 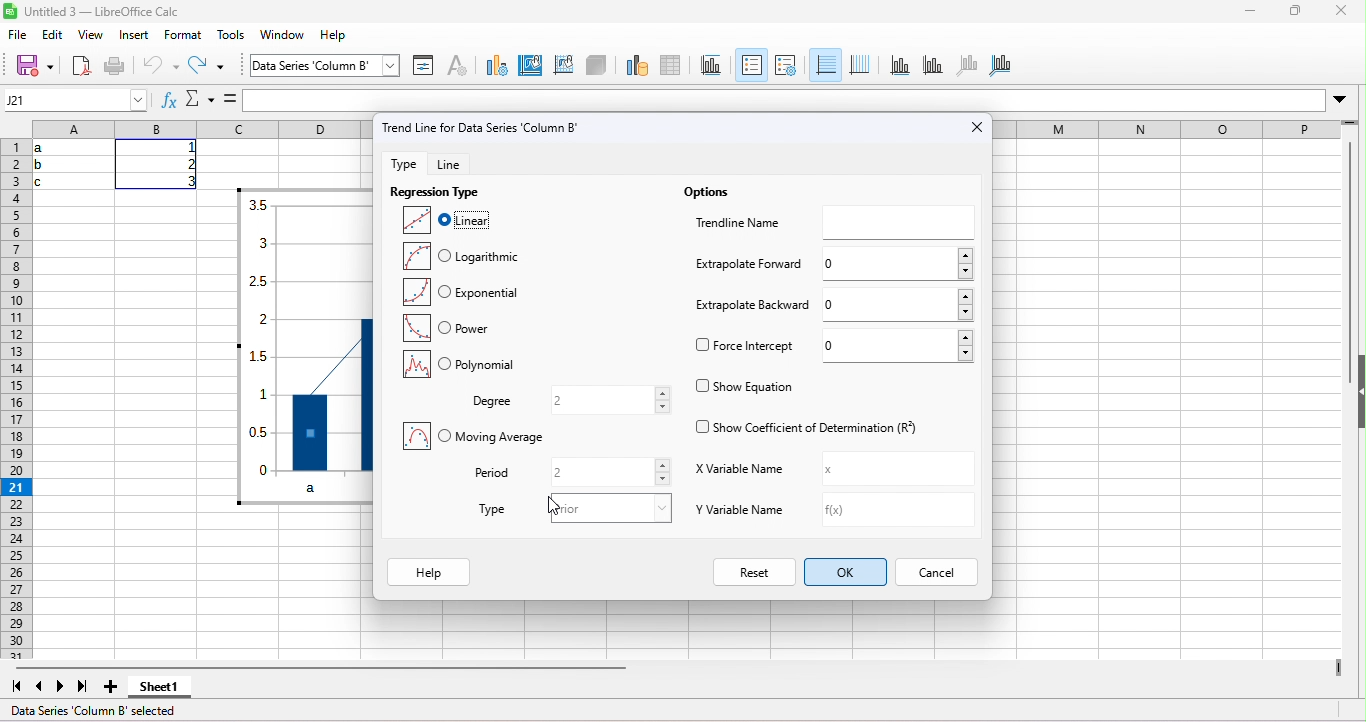 What do you see at coordinates (39, 687) in the screenshot?
I see `scroll to previous sheet` at bounding box center [39, 687].